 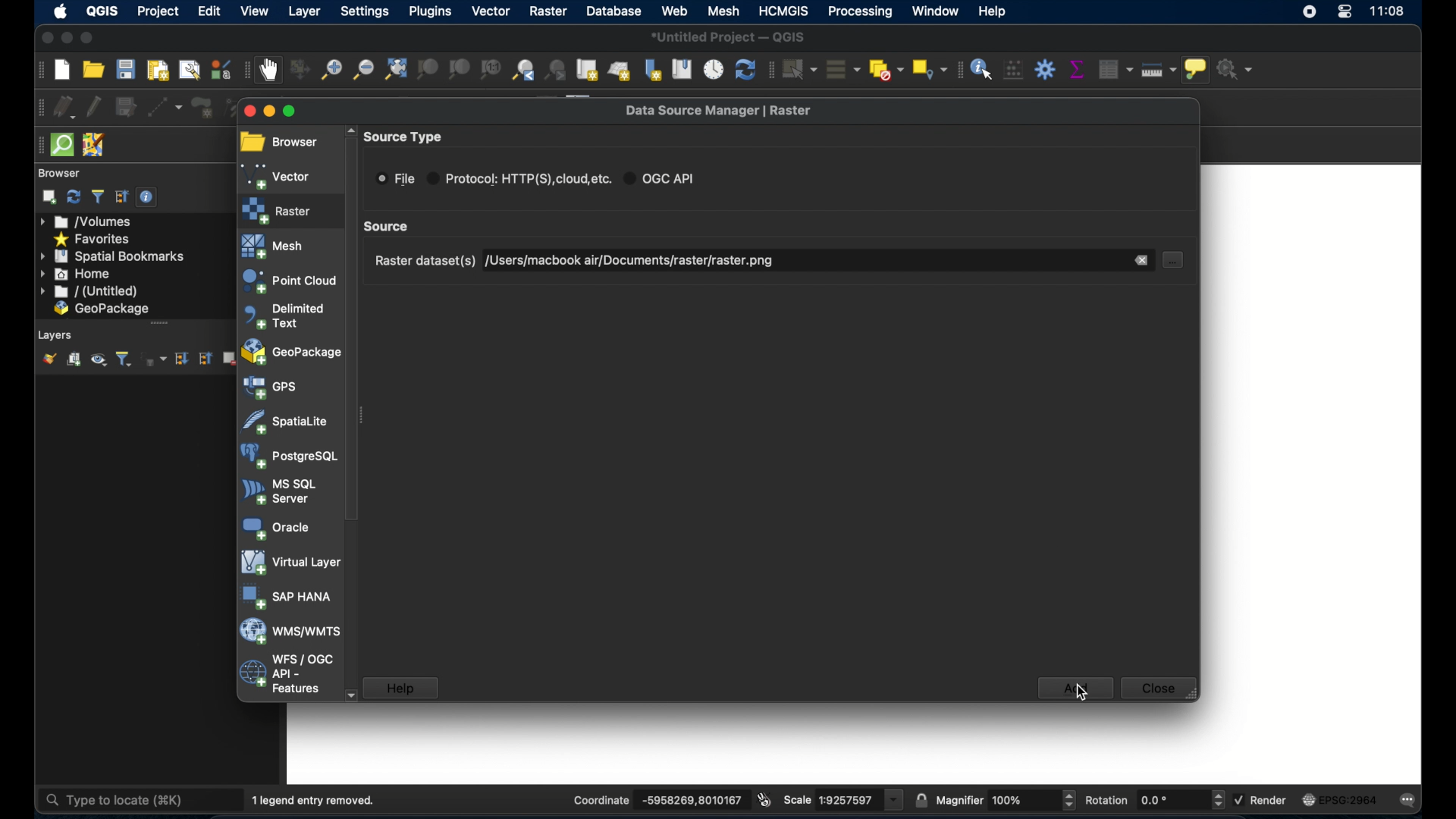 What do you see at coordinates (61, 70) in the screenshot?
I see `create new project` at bounding box center [61, 70].